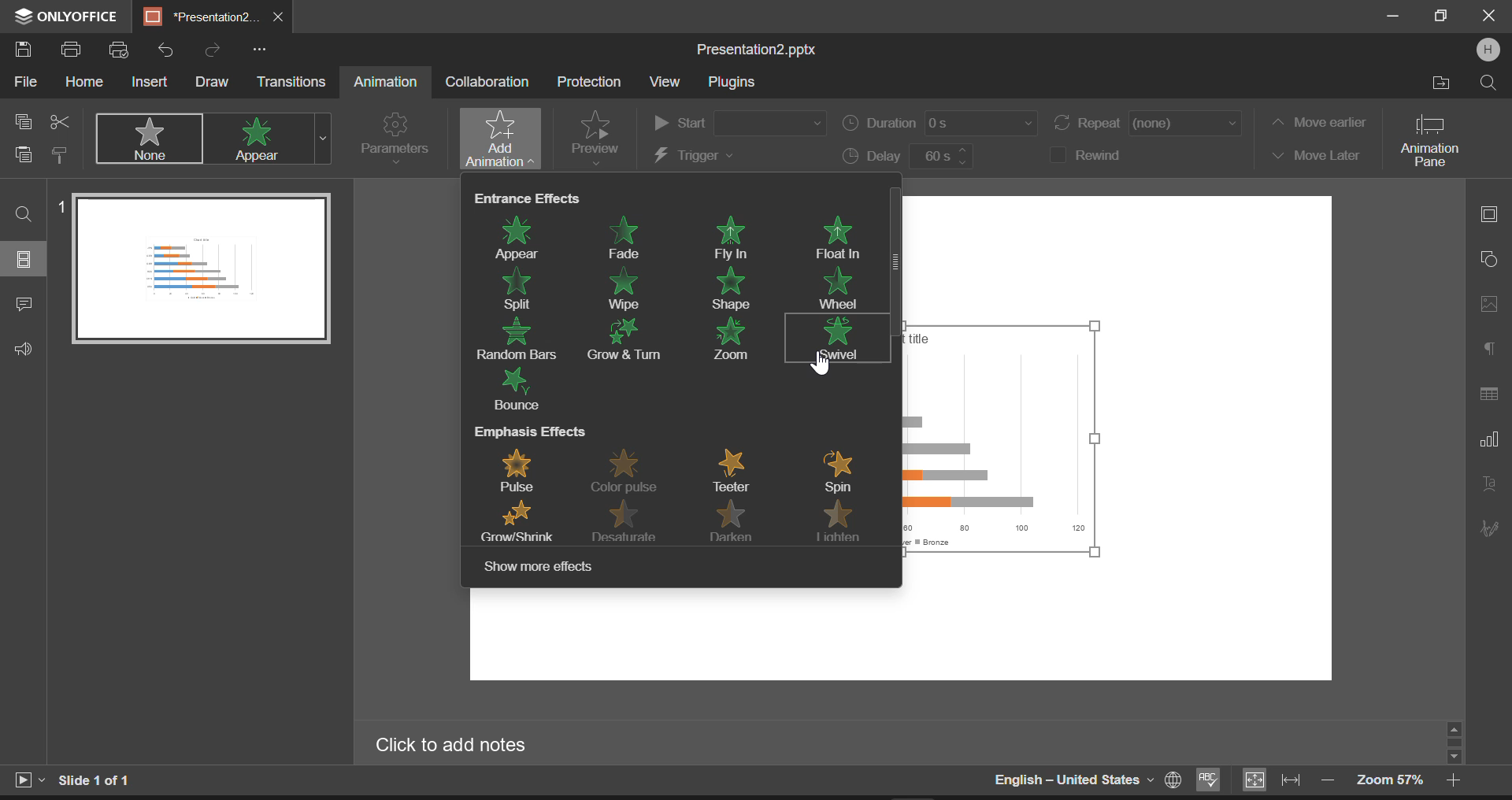 The height and width of the screenshot is (800, 1512). Describe the element at coordinates (894, 377) in the screenshot. I see `Scroll bar` at that location.